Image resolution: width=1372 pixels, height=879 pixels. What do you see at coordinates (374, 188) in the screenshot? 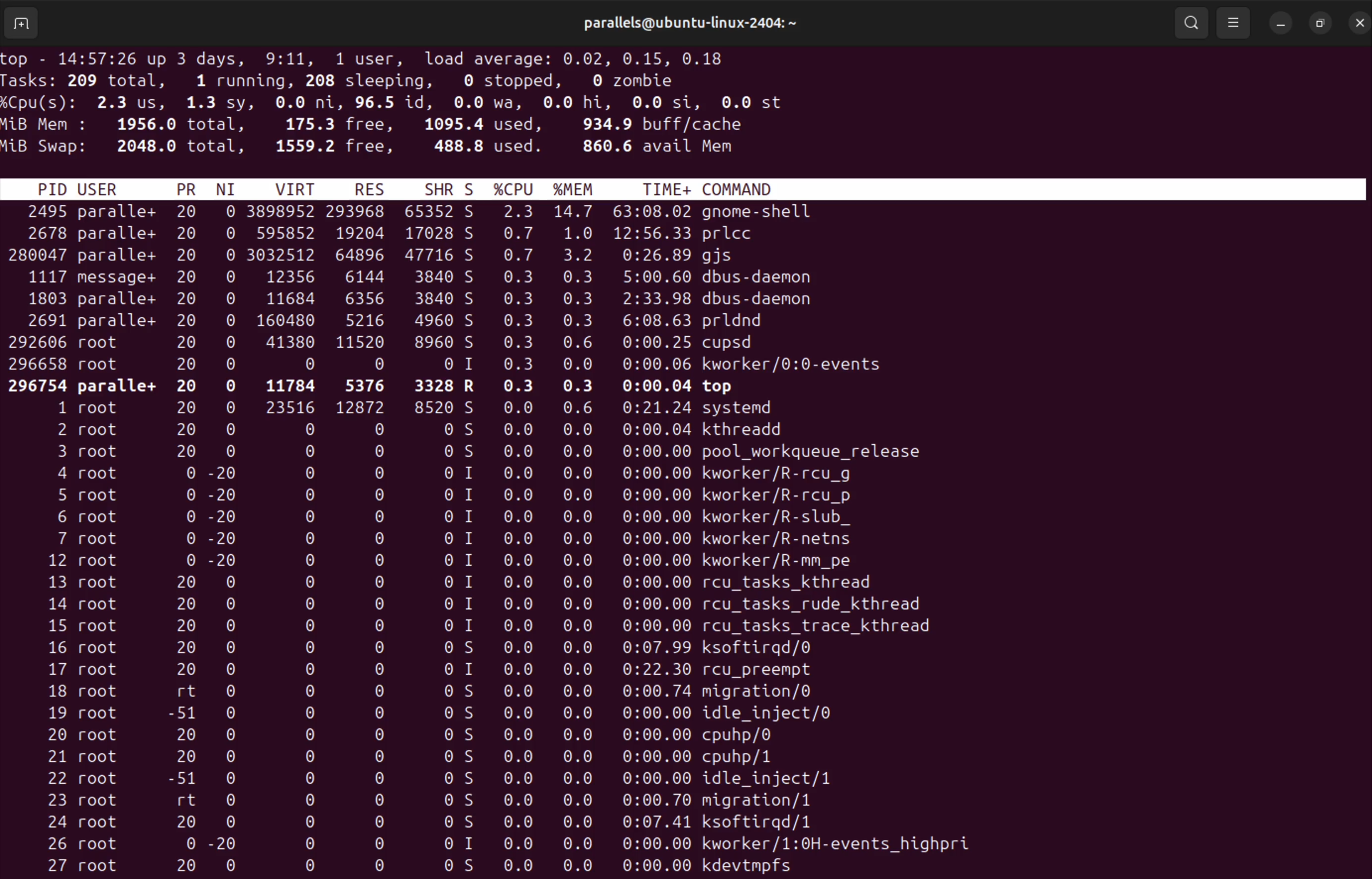
I see `Res` at bounding box center [374, 188].